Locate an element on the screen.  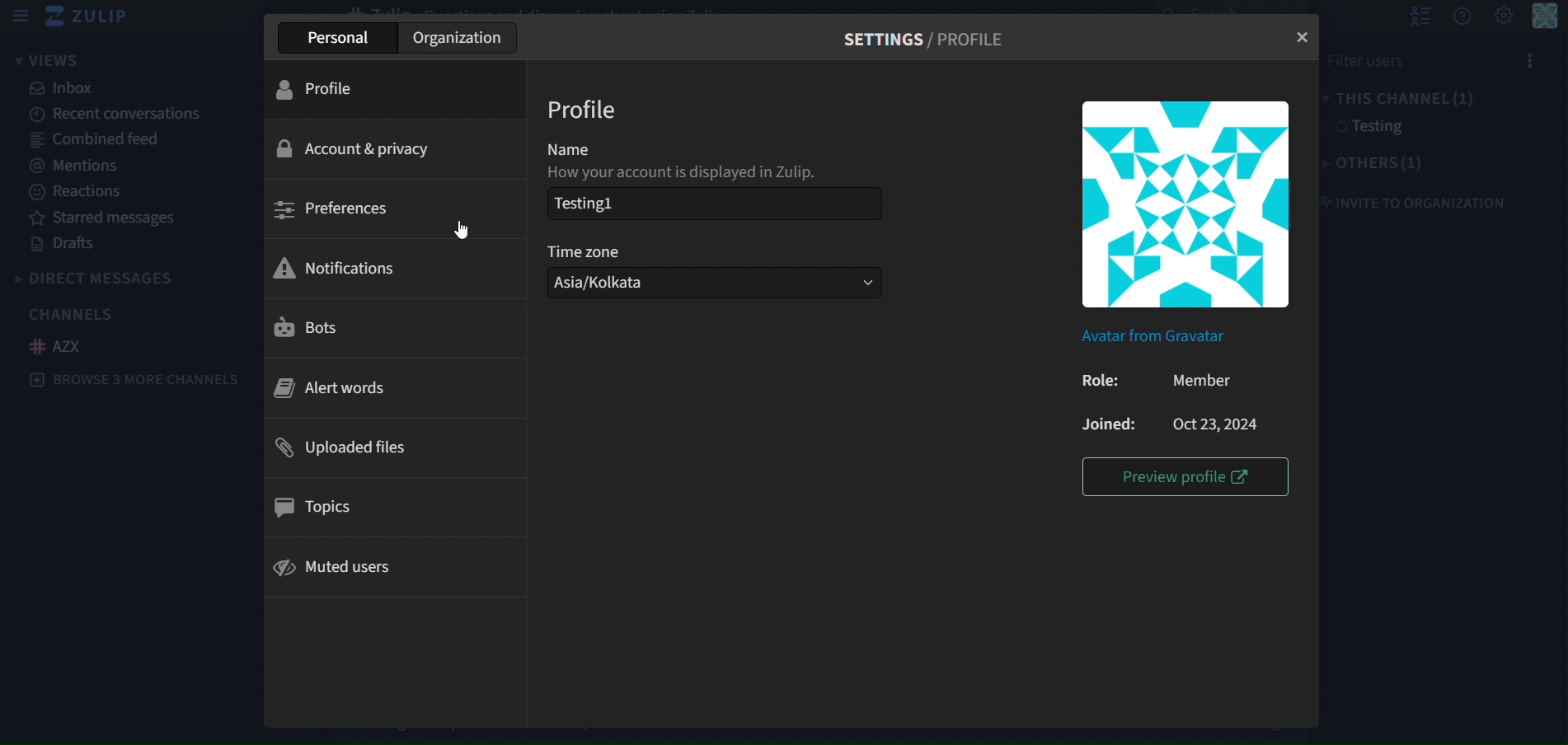
invite to organization is located at coordinates (1422, 202).